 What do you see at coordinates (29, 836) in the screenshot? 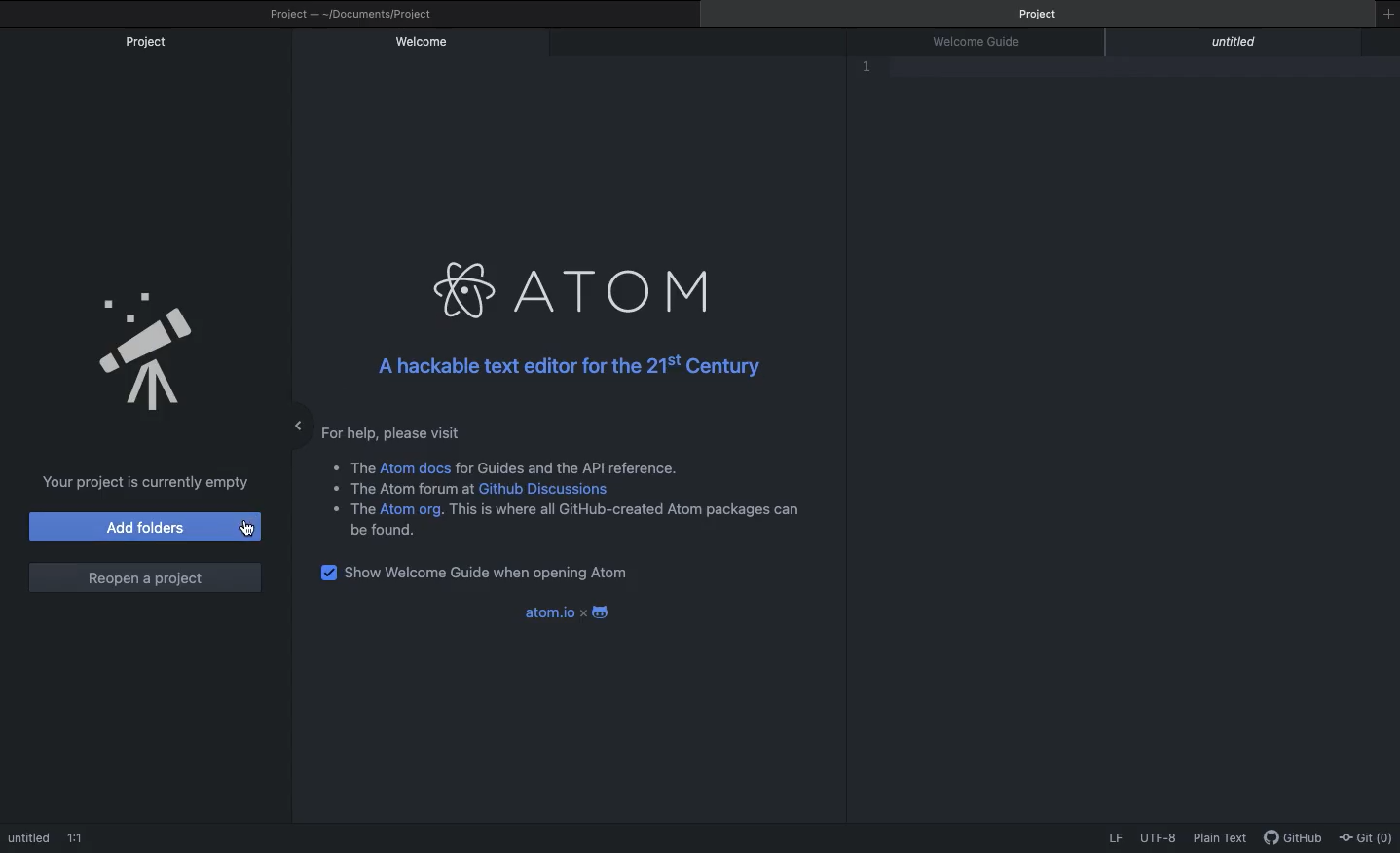
I see `Untitled` at bounding box center [29, 836].